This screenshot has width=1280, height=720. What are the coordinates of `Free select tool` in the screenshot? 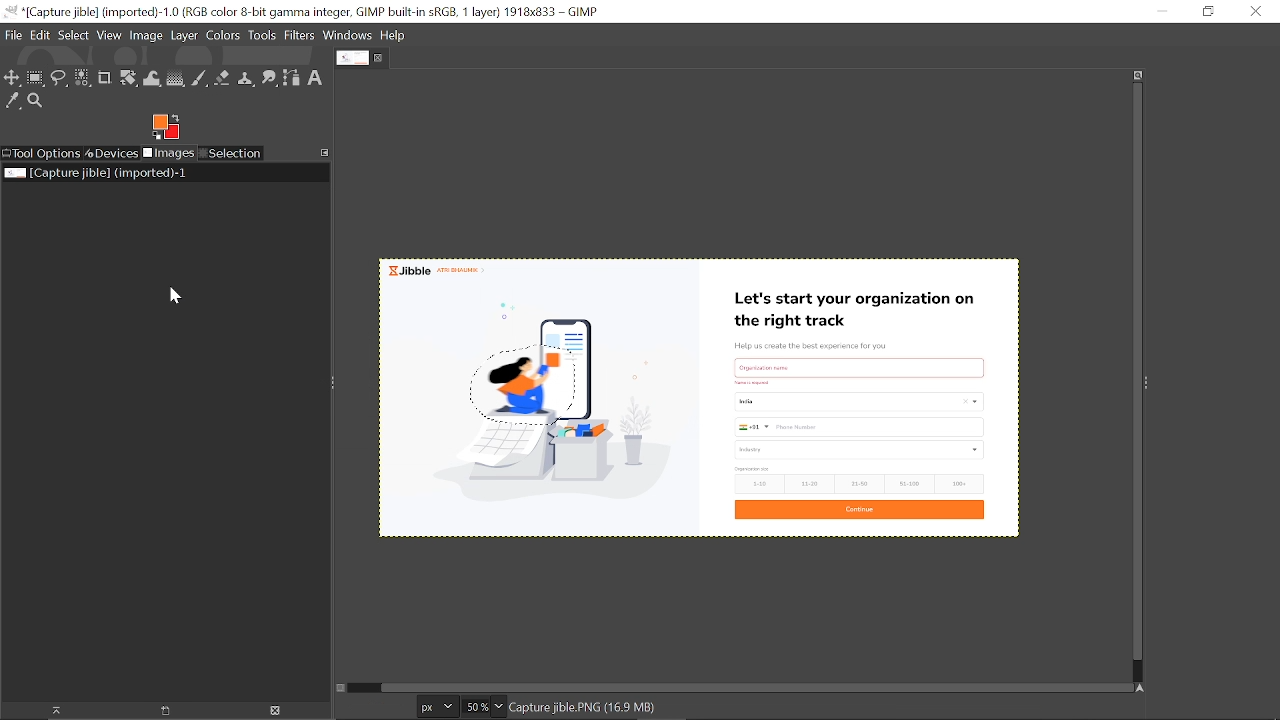 It's located at (58, 78).